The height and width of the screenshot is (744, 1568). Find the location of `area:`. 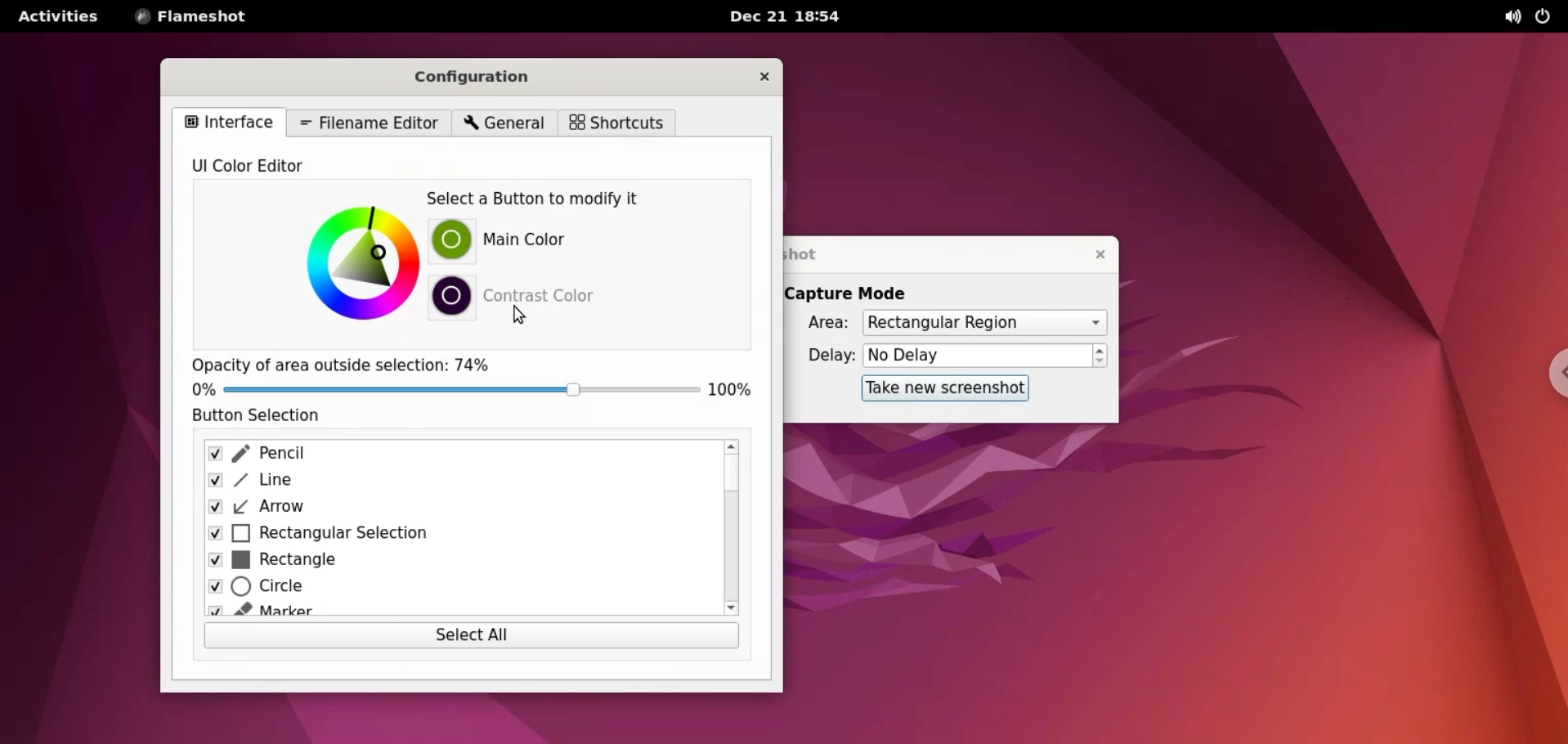

area: is located at coordinates (824, 324).